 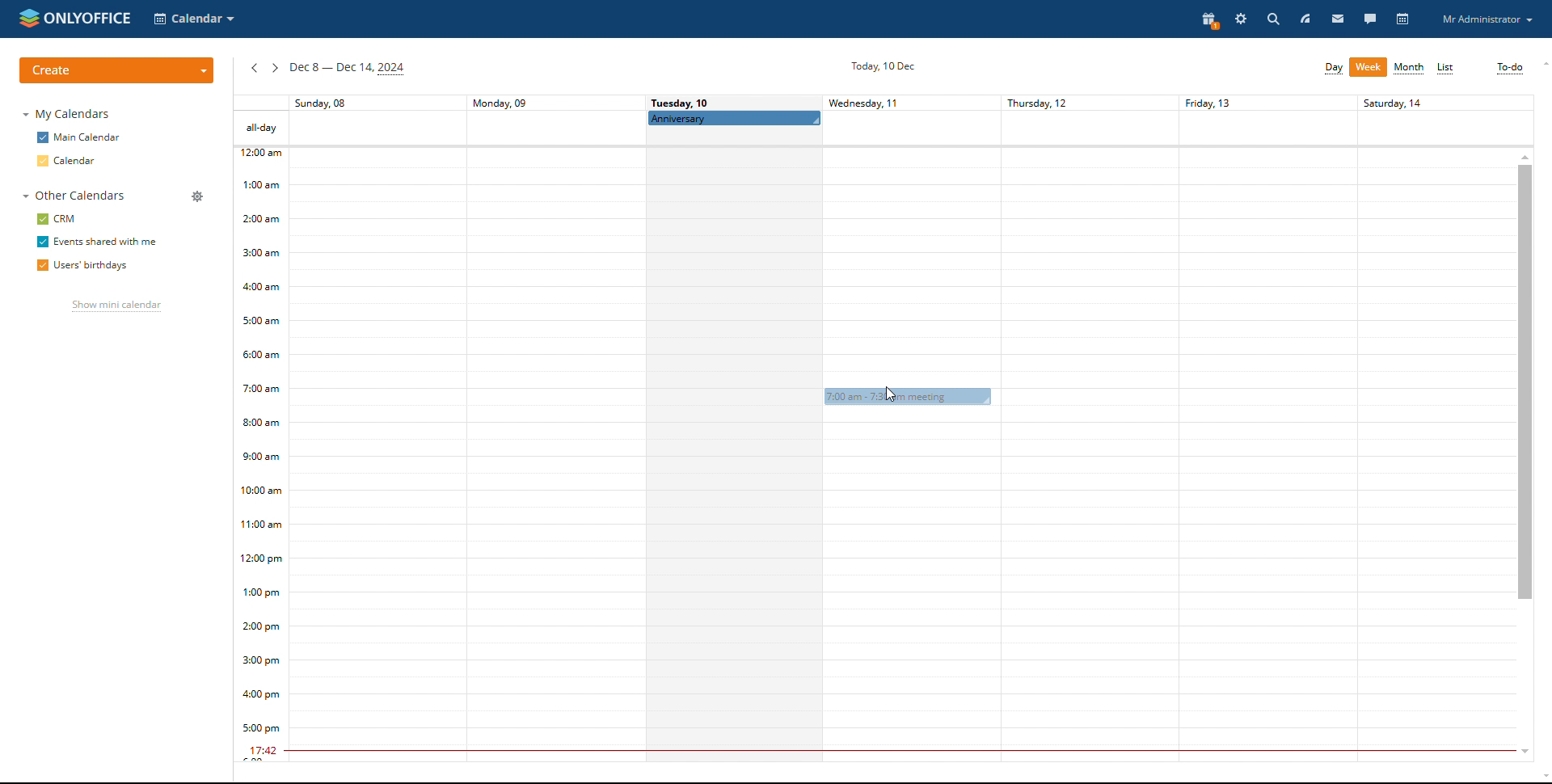 I want to click on other calendars, so click(x=71, y=196).